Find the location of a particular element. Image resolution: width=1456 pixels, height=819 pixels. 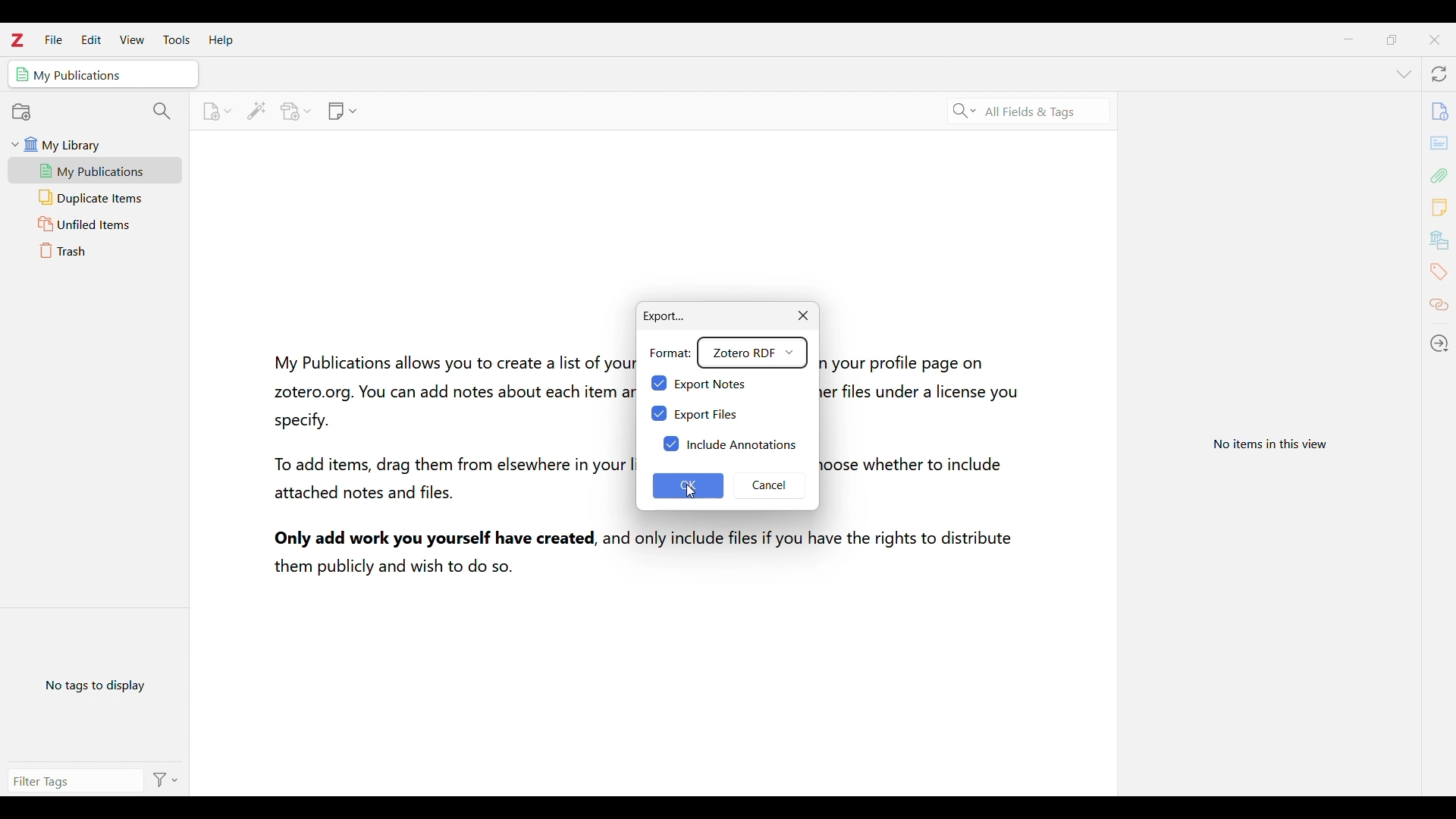

Export Notes is located at coordinates (718, 382).